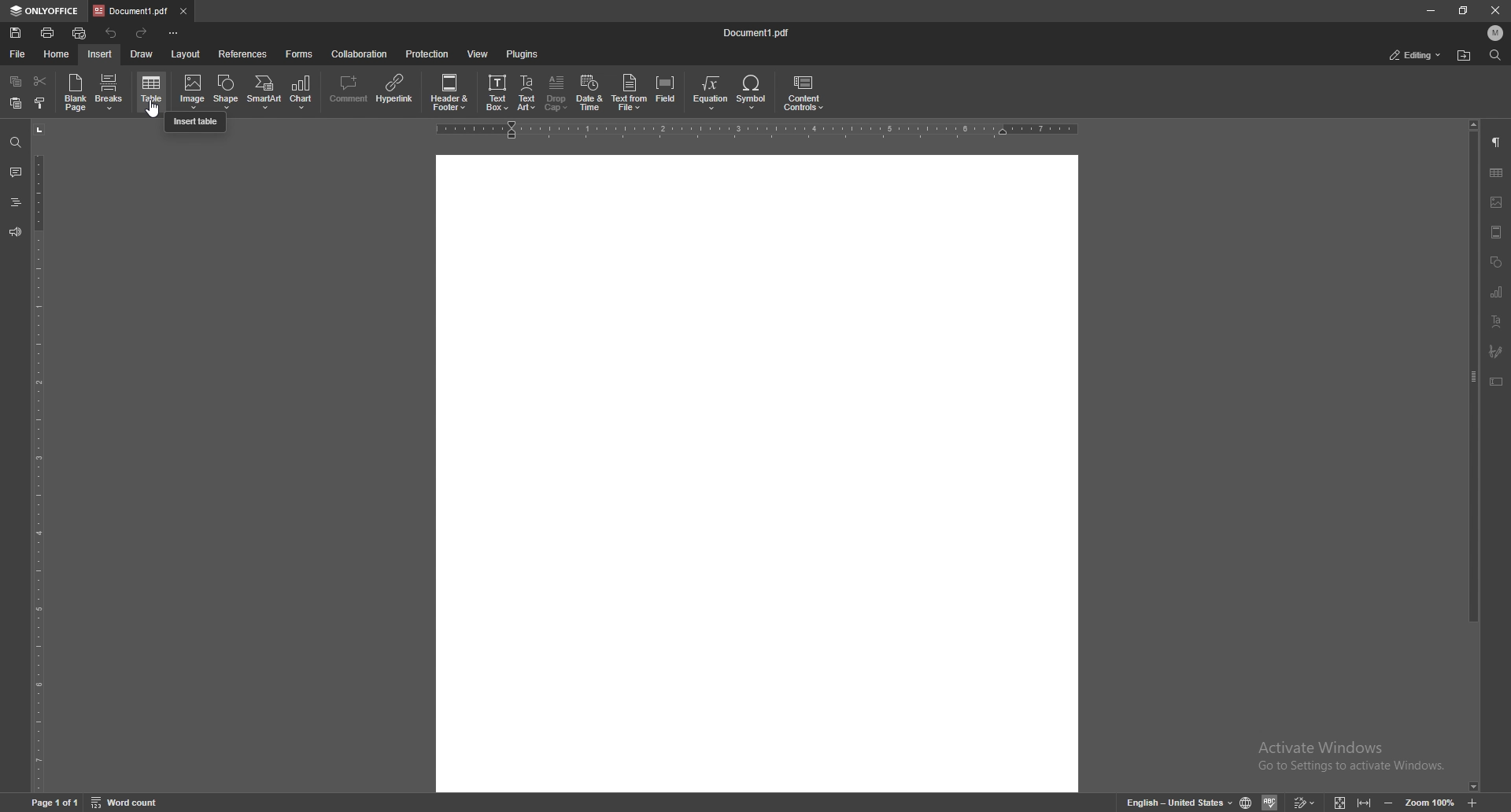 The image size is (1511, 812). I want to click on header, so click(1498, 234).